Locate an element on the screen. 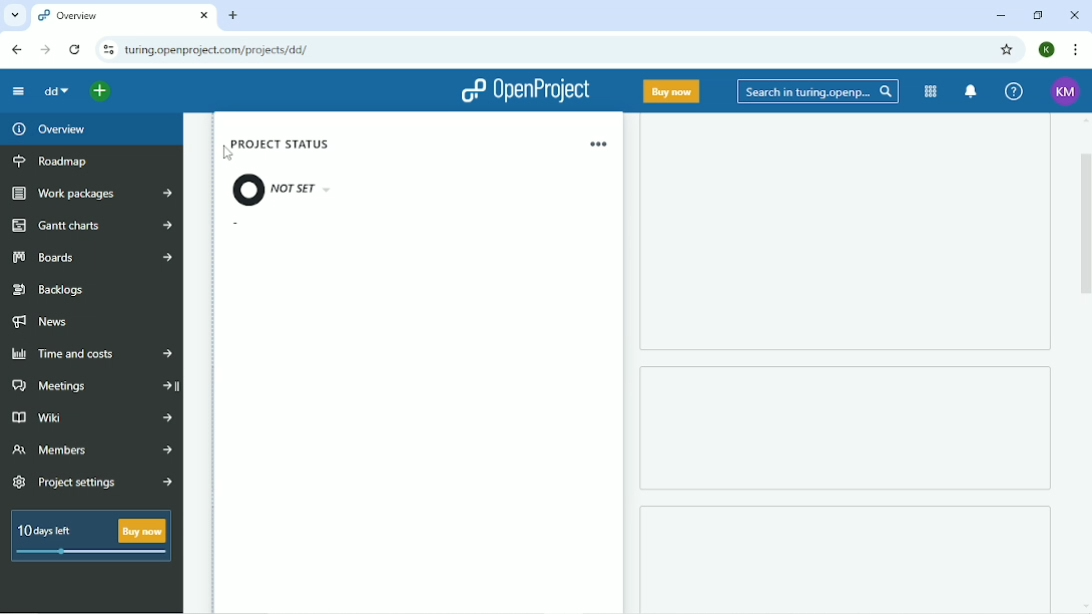 The width and height of the screenshot is (1092, 614). Help is located at coordinates (1015, 92).